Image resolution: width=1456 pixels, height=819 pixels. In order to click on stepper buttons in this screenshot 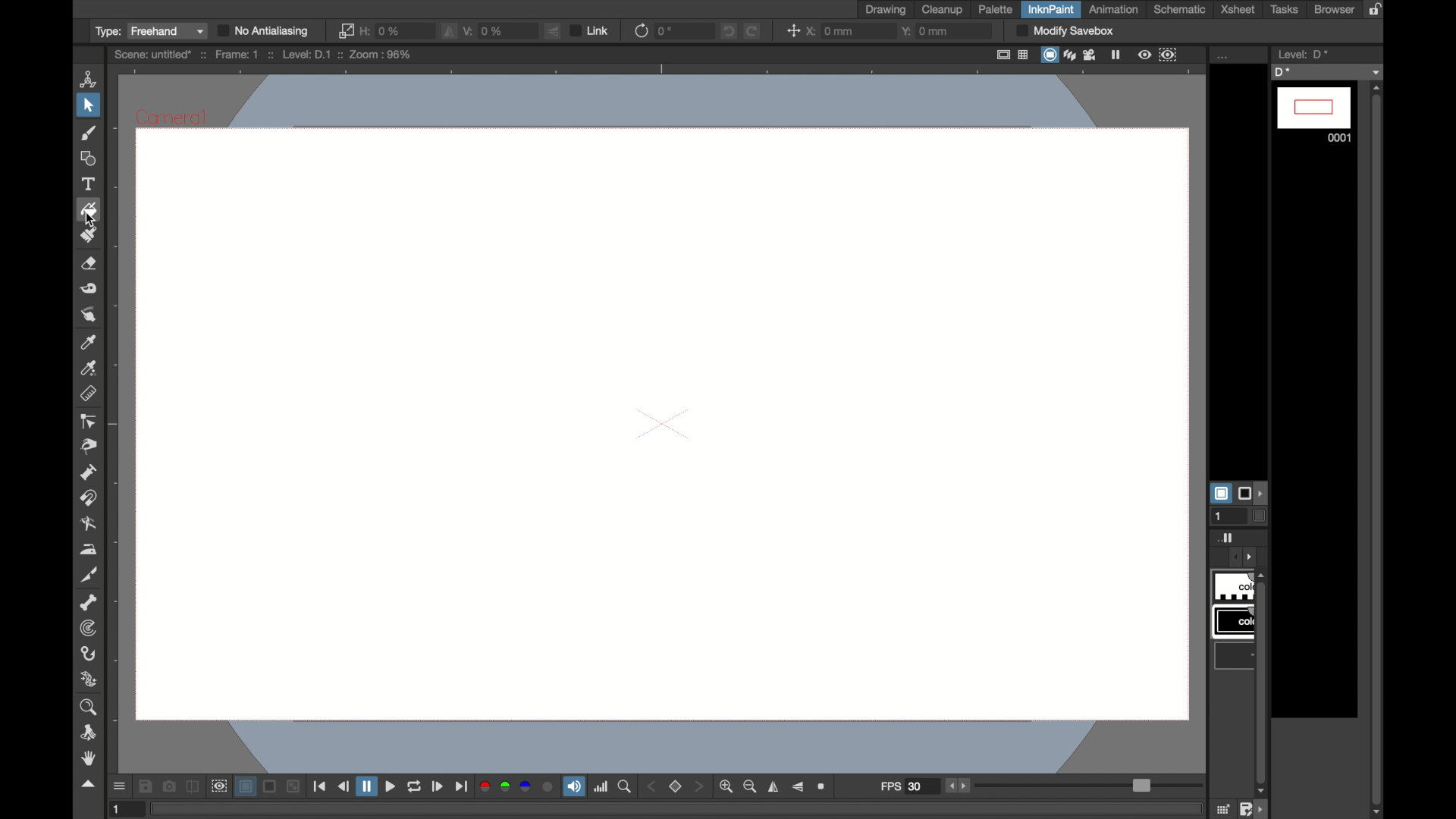, I will do `click(959, 786)`.